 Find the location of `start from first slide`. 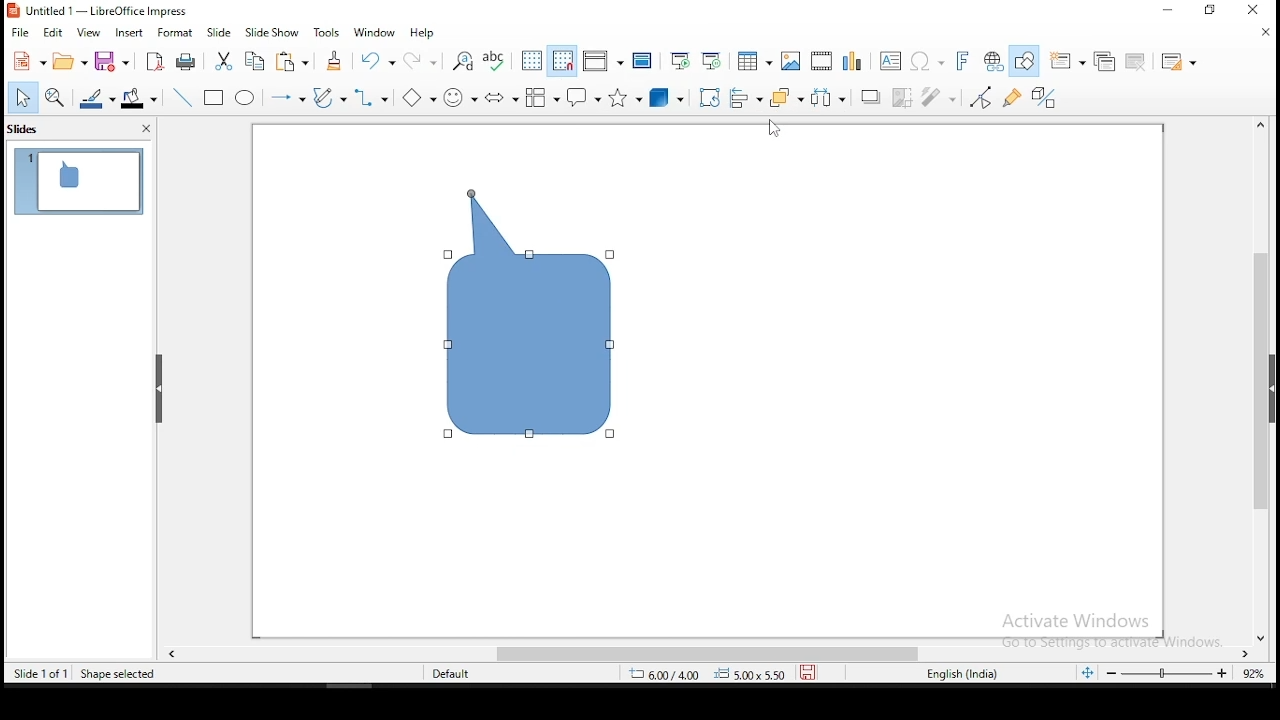

start from first slide is located at coordinates (679, 61).